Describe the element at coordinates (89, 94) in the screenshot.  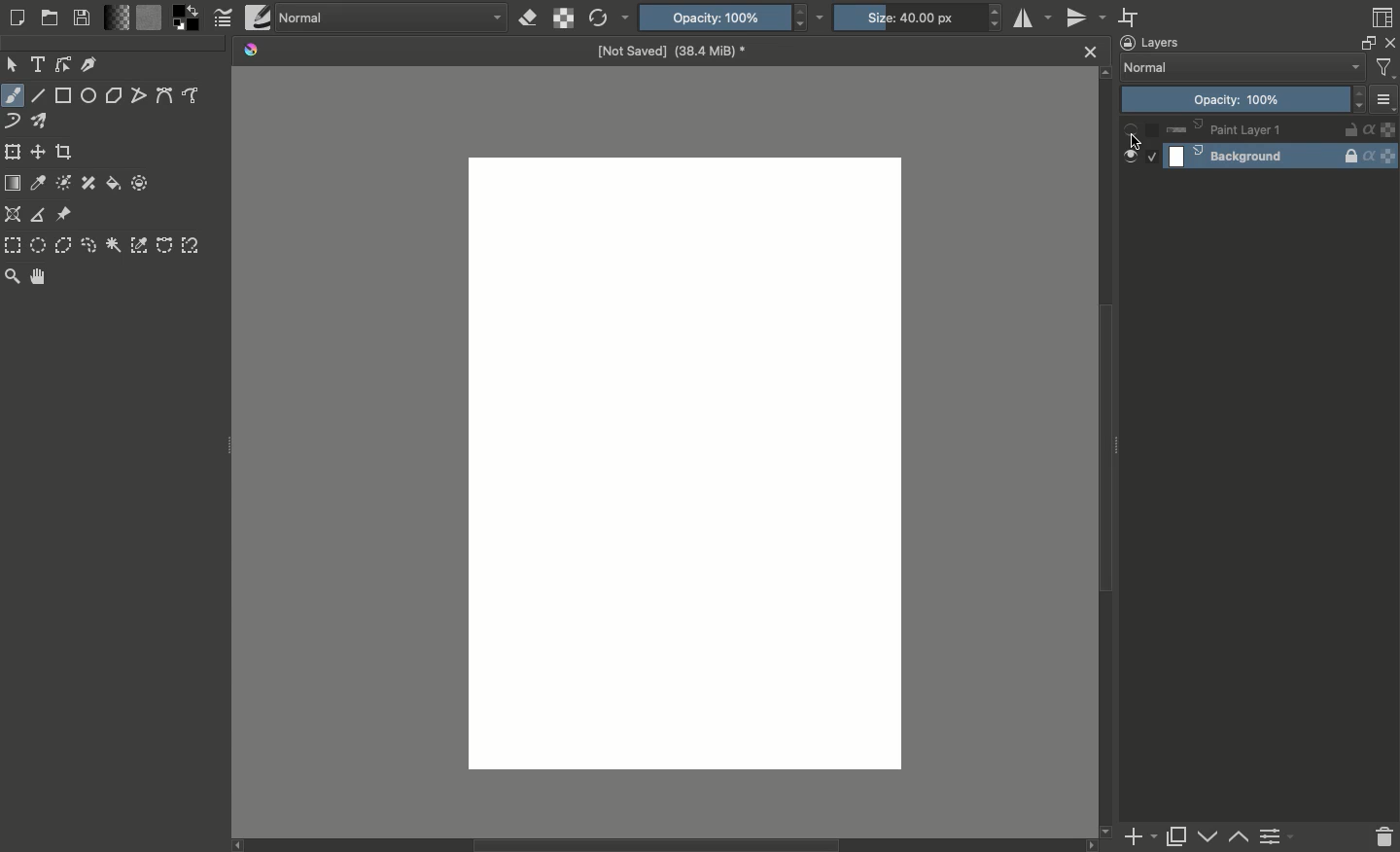
I see `Ellipse` at that location.